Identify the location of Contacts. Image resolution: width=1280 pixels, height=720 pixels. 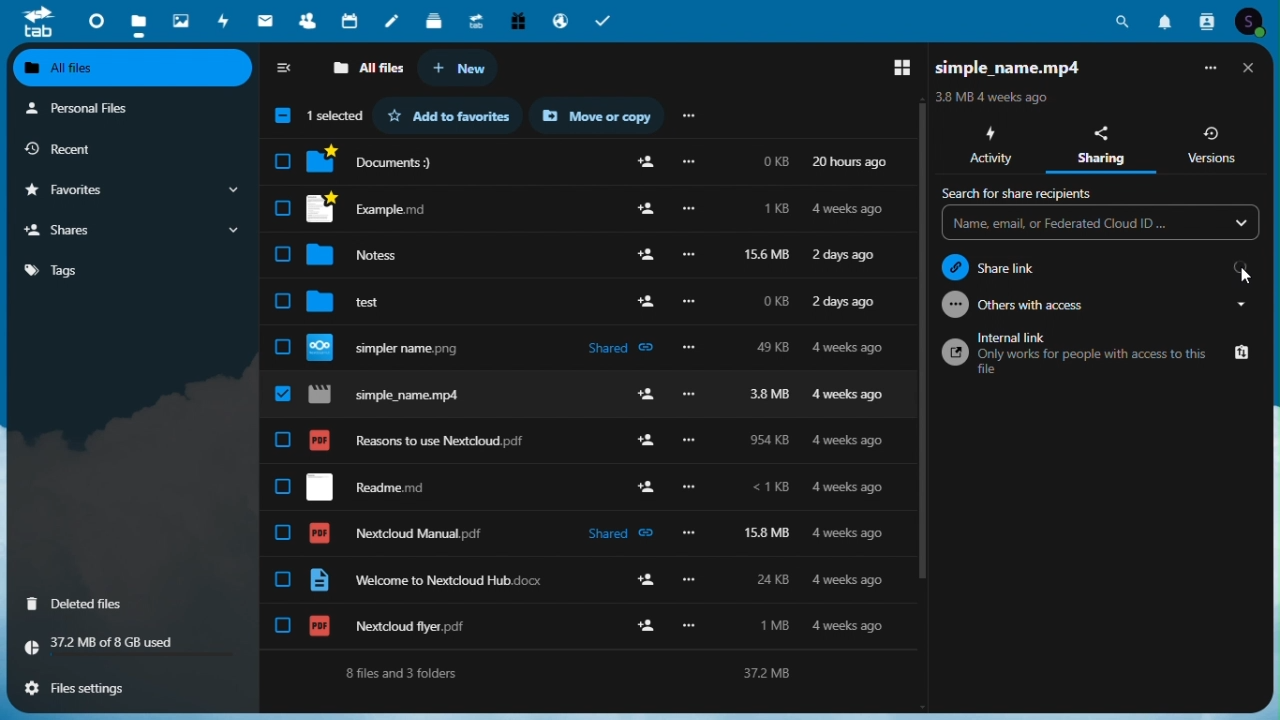
(308, 21).